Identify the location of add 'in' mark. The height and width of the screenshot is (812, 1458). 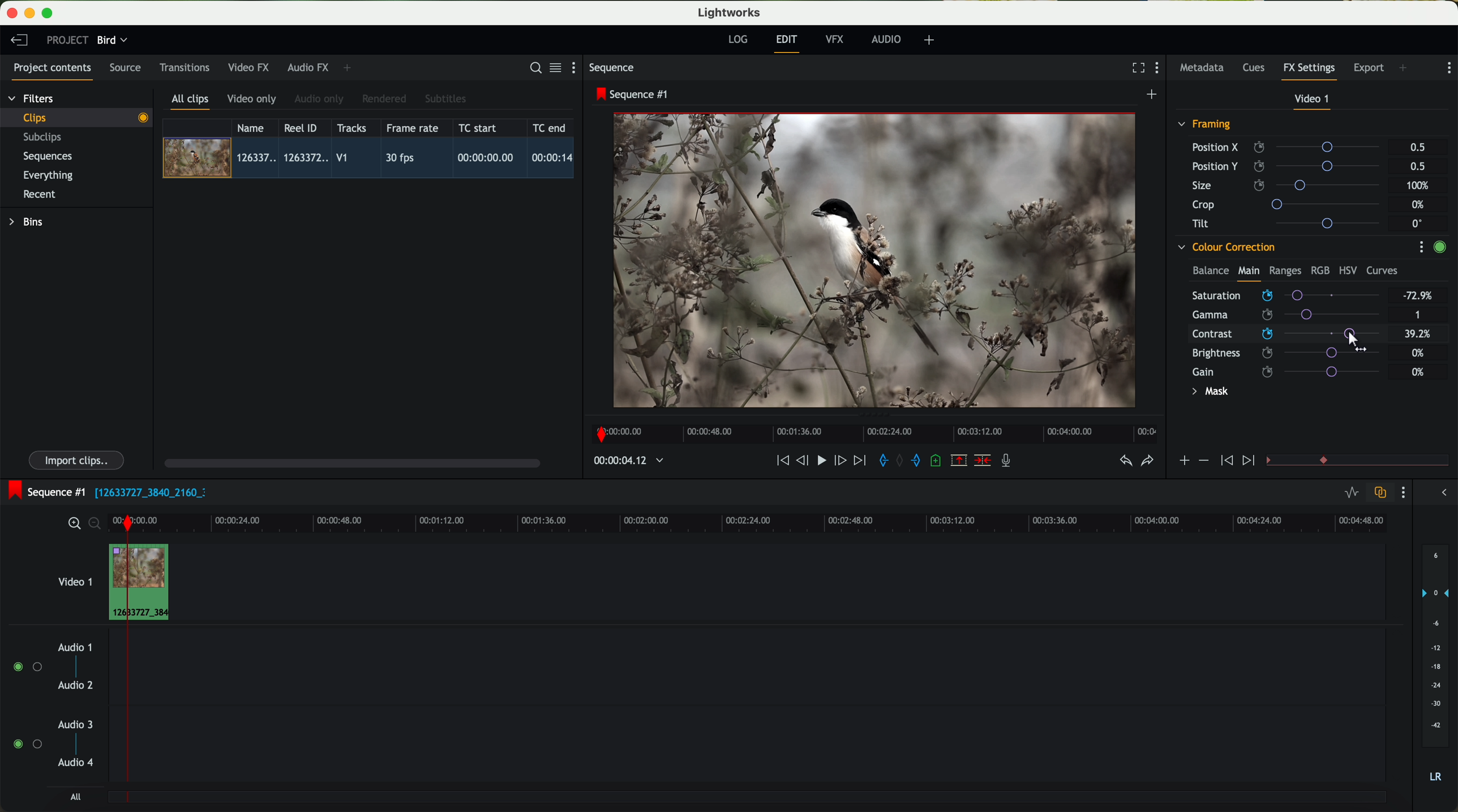
(880, 462).